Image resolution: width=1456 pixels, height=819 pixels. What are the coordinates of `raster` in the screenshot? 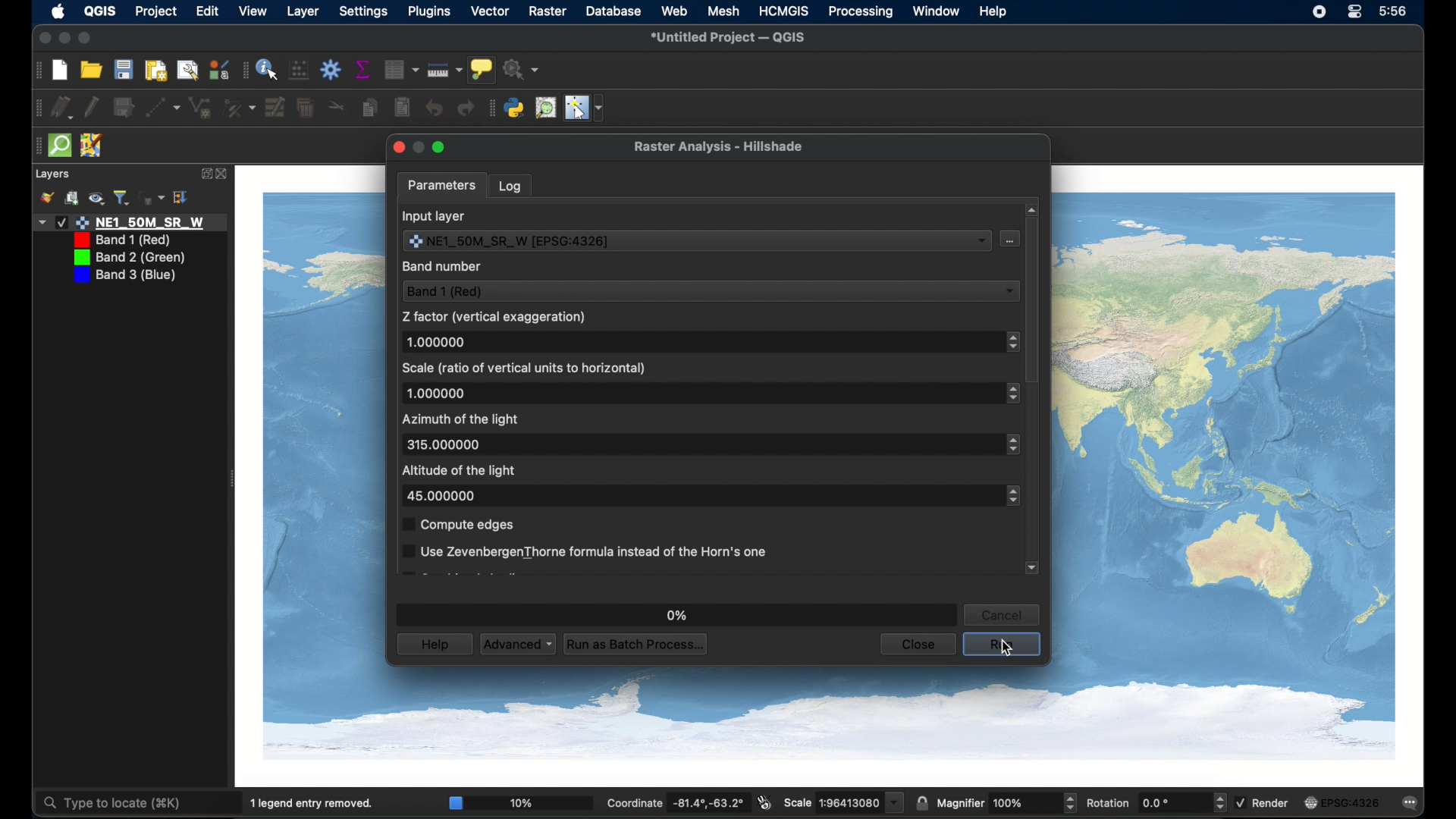 It's located at (548, 11).